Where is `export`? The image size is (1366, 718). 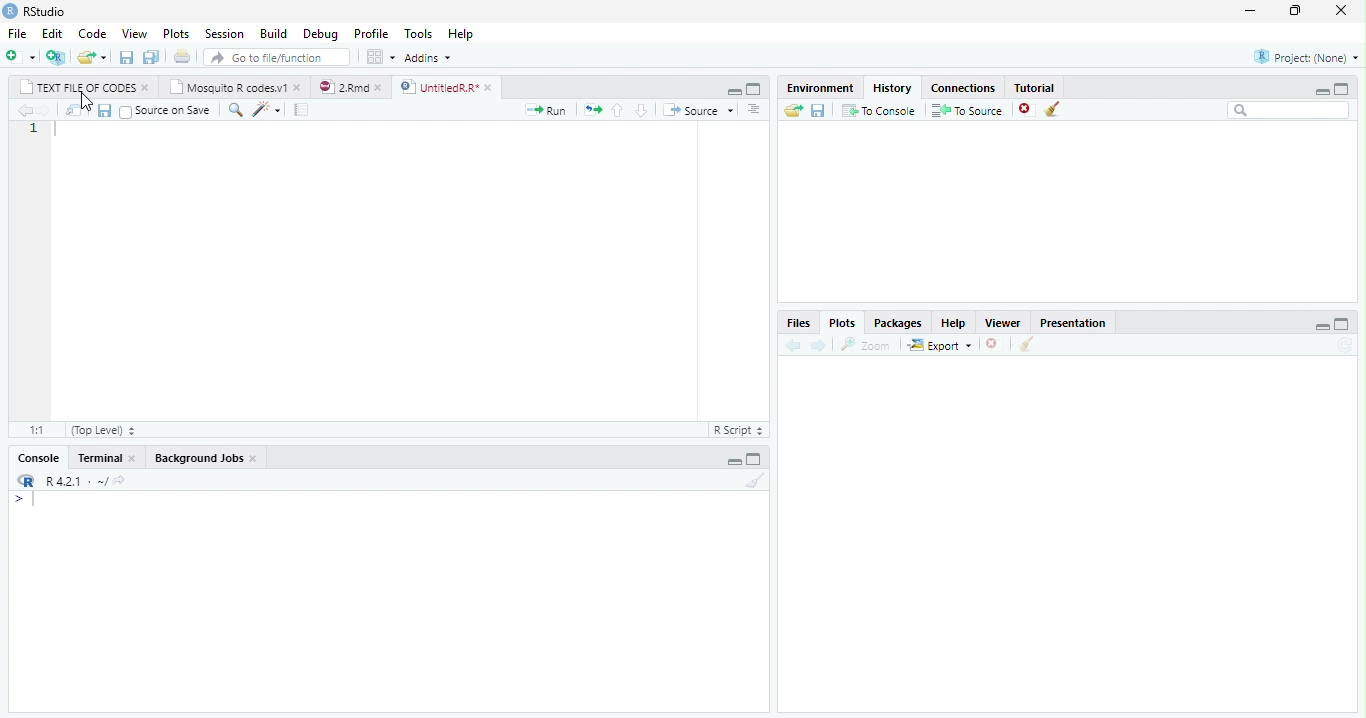
export is located at coordinates (936, 345).